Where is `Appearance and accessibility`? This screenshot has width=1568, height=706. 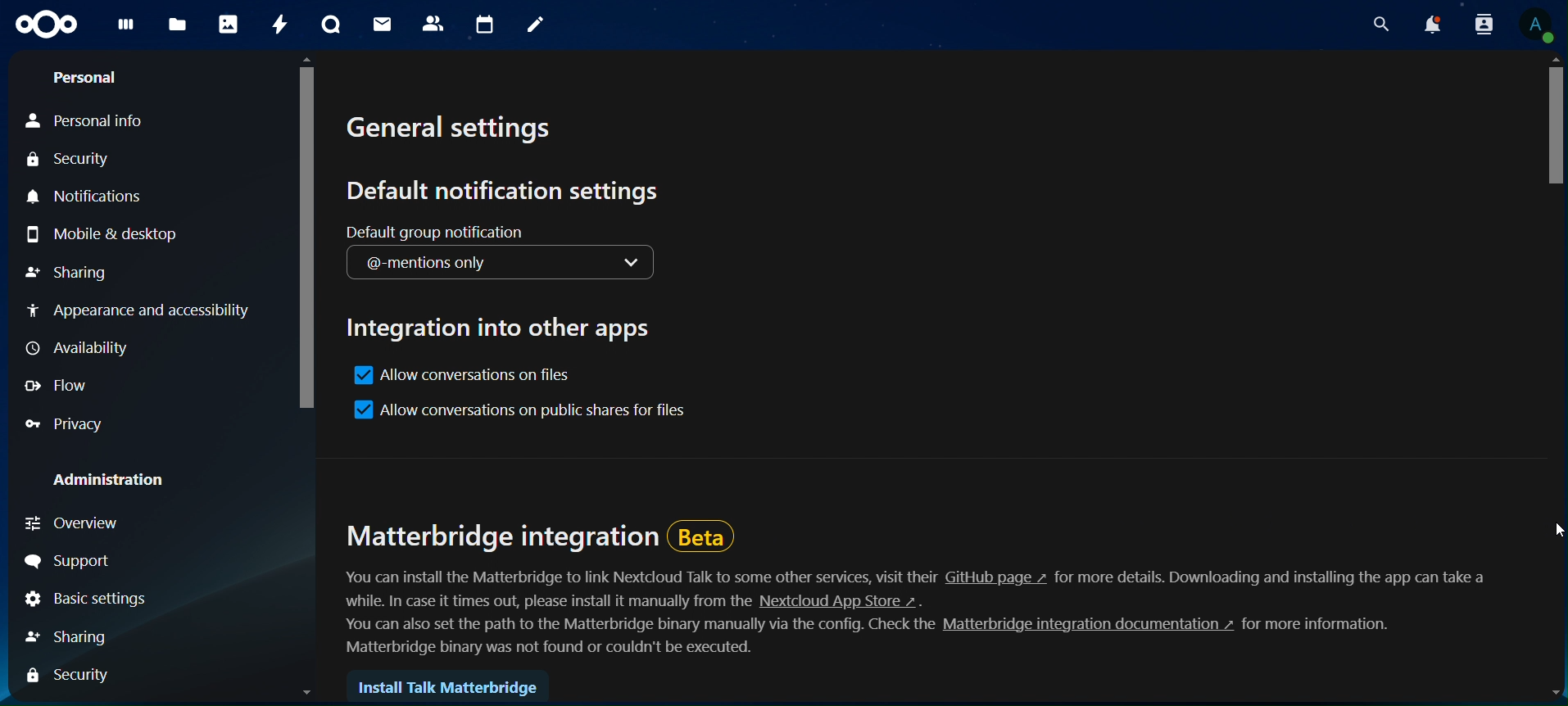 Appearance and accessibility is located at coordinates (152, 310).